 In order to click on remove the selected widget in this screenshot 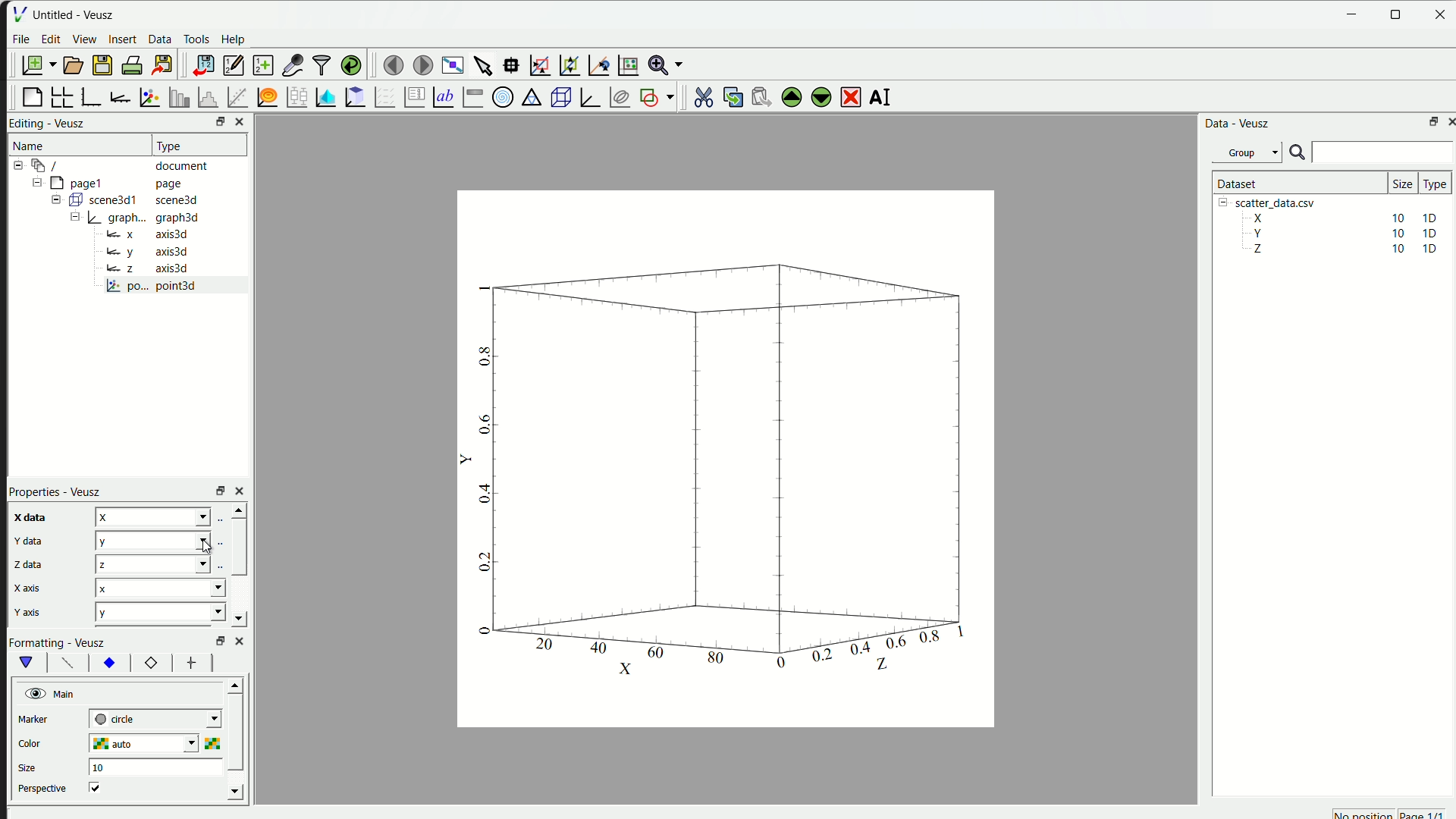, I will do `click(848, 96)`.